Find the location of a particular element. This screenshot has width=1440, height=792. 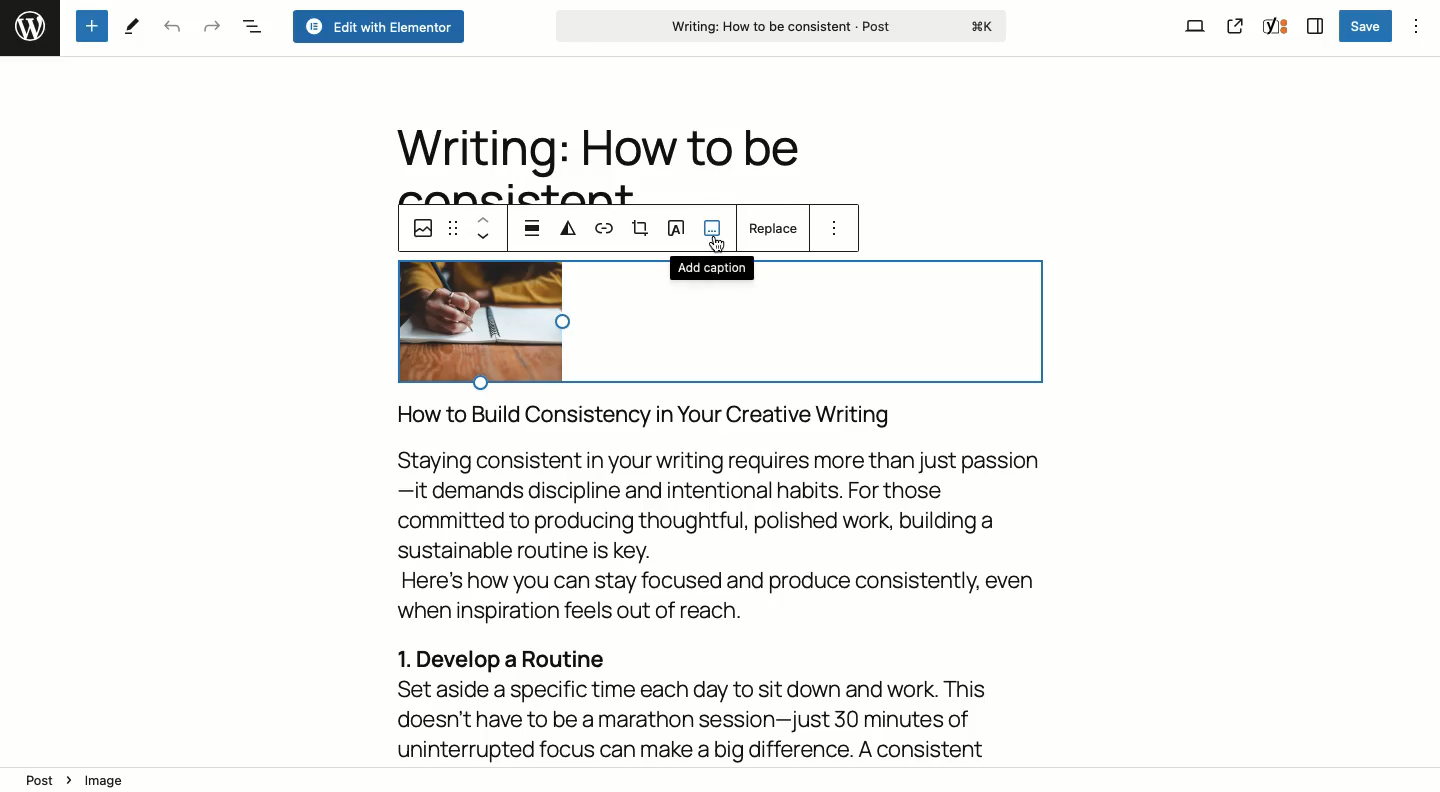

Options is located at coordinates (835, 227).